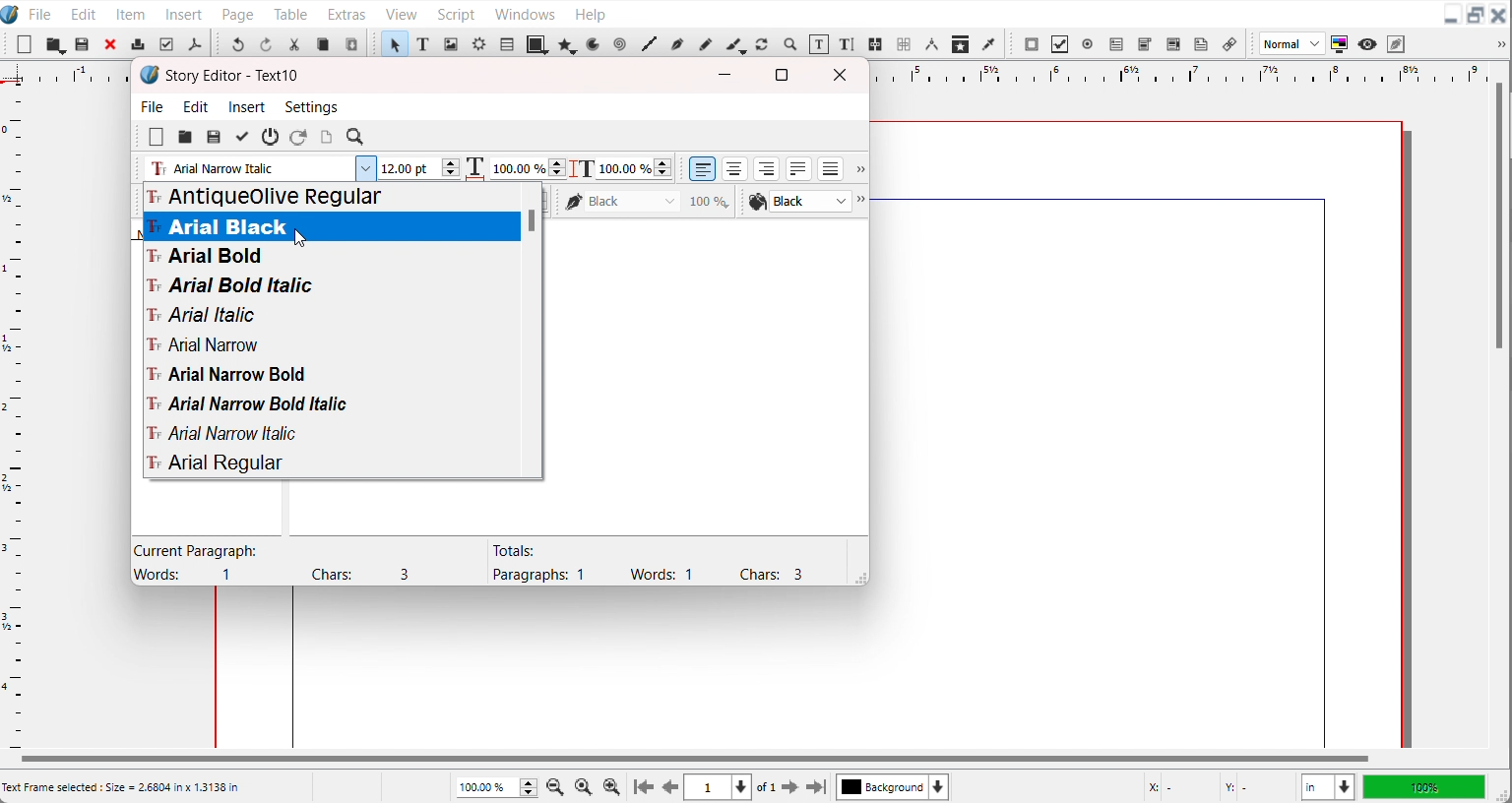 This screenshot has height=803, width=1512. What do you see at coordinates (458, 13) in the screenshot?
I see `Script` at bounding box center [458, 13].